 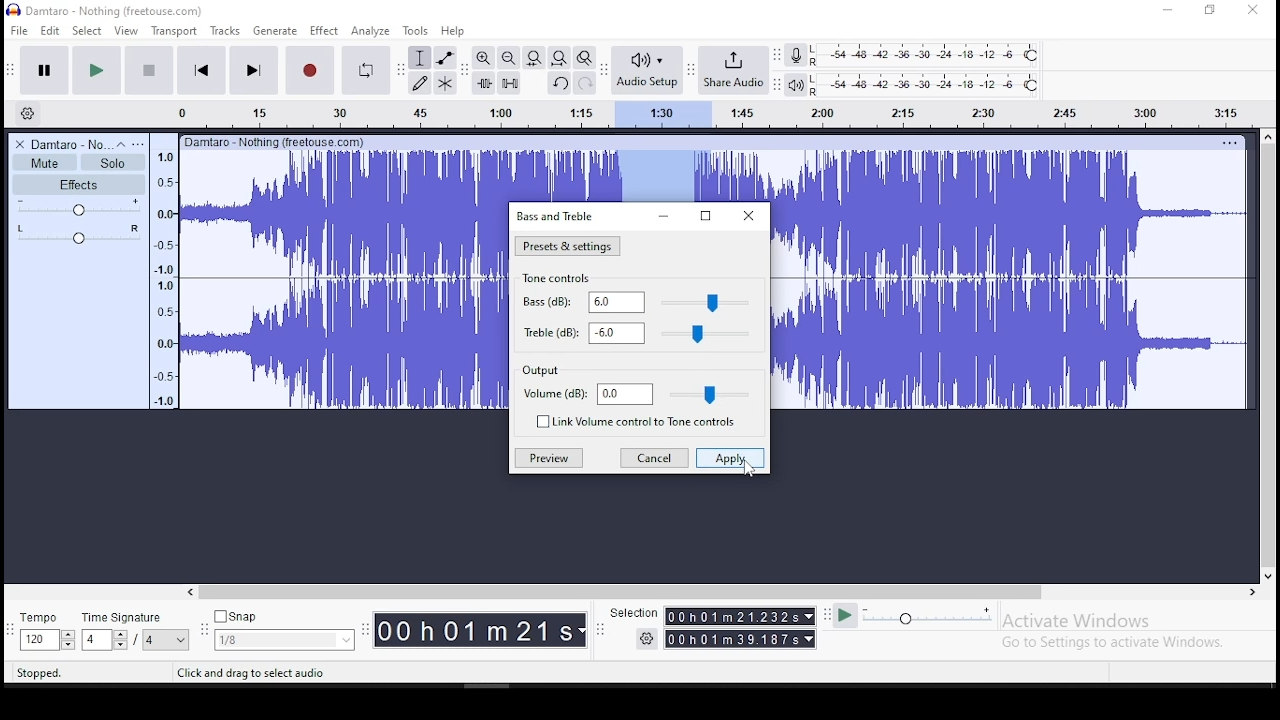 What do you see at coordinates (364, 71) in the screenshot?
I see `enable looping` at bounding box center [364, 71].